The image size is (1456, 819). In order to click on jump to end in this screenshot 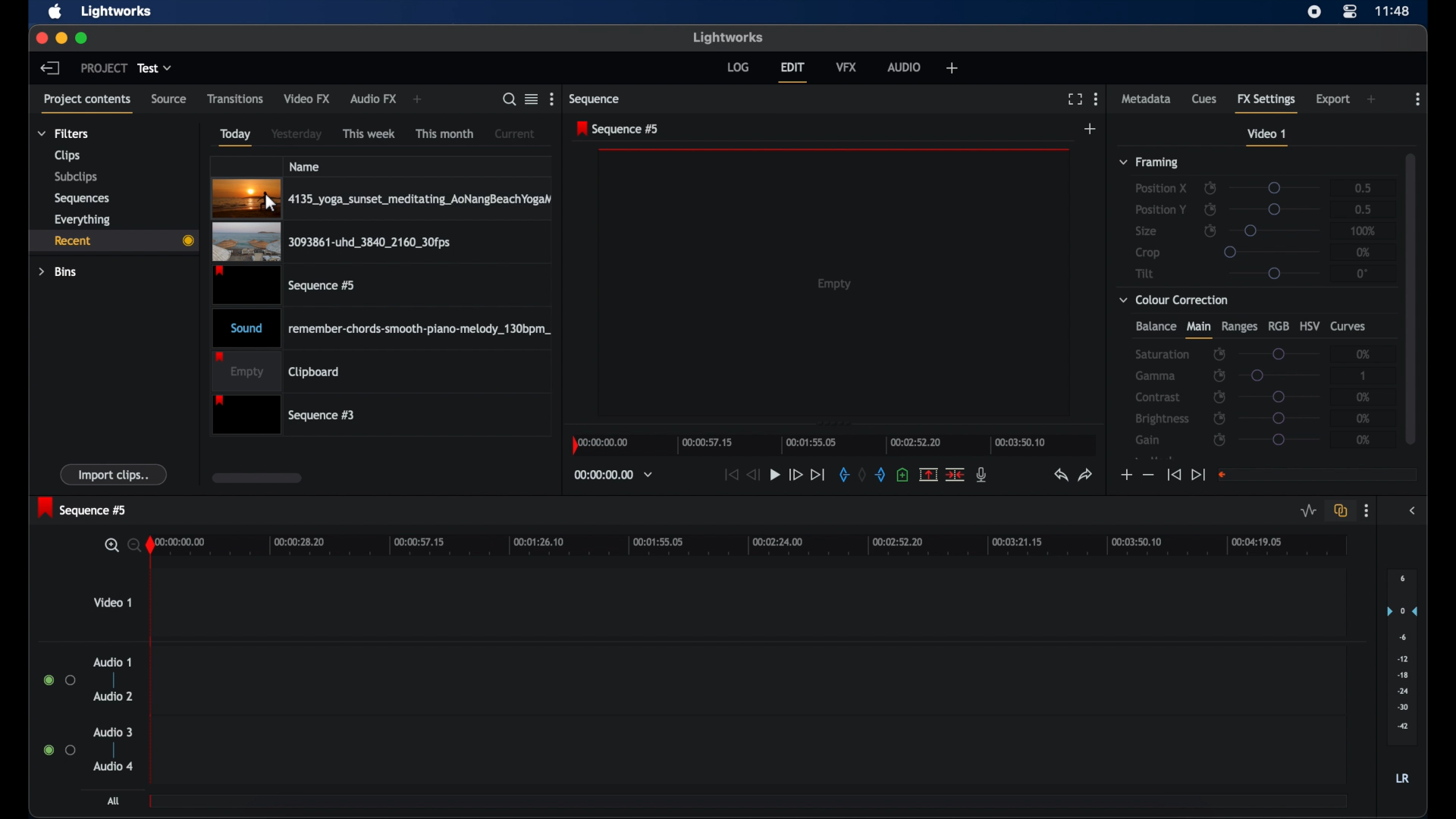, I will do `click(1198, 474)`.